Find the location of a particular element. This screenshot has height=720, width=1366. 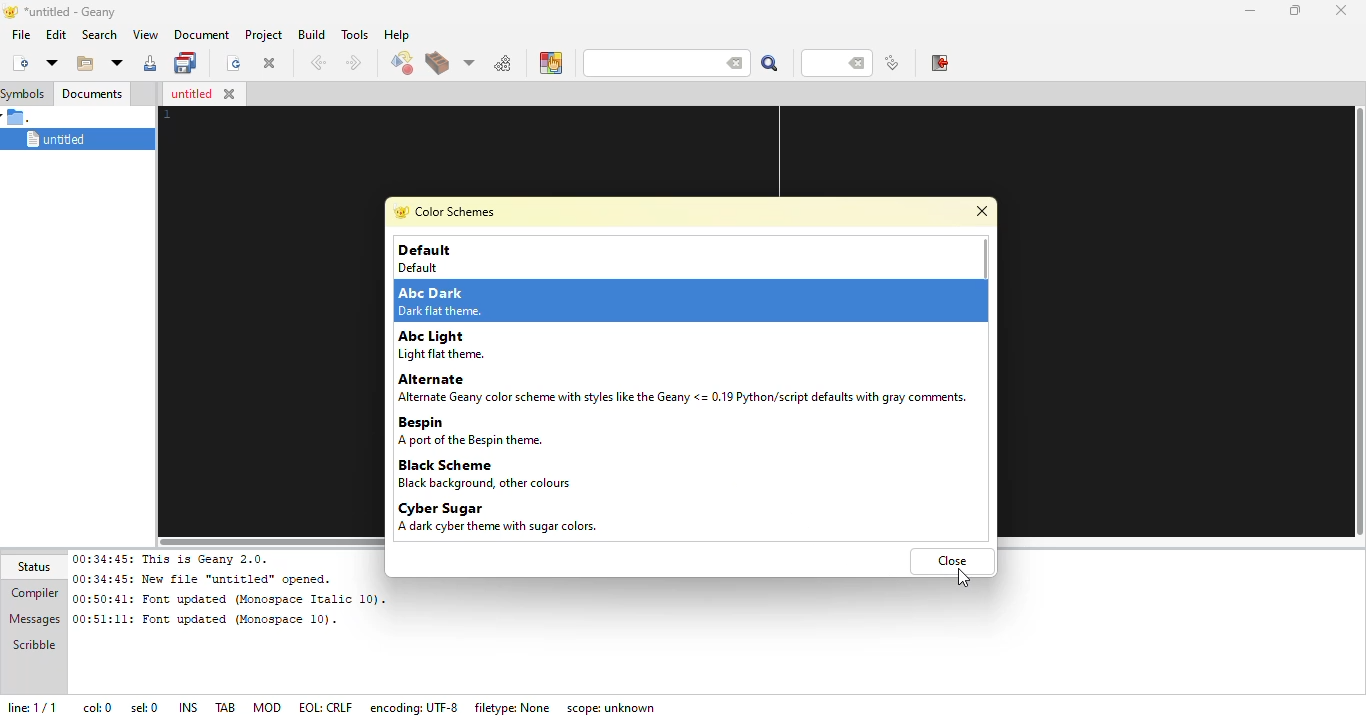

scribble is located at coordinates (31, 647).